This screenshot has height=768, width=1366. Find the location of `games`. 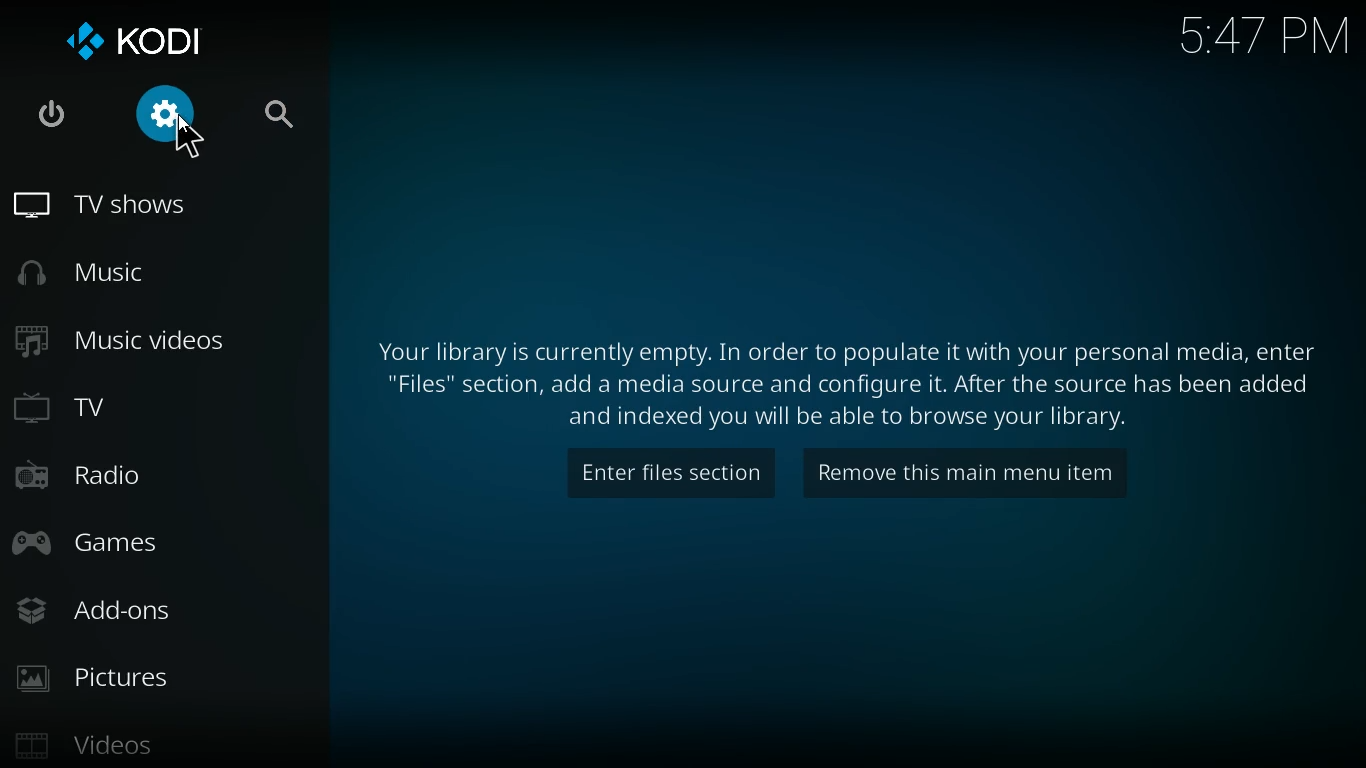

games is located at coordinates (163, 541).